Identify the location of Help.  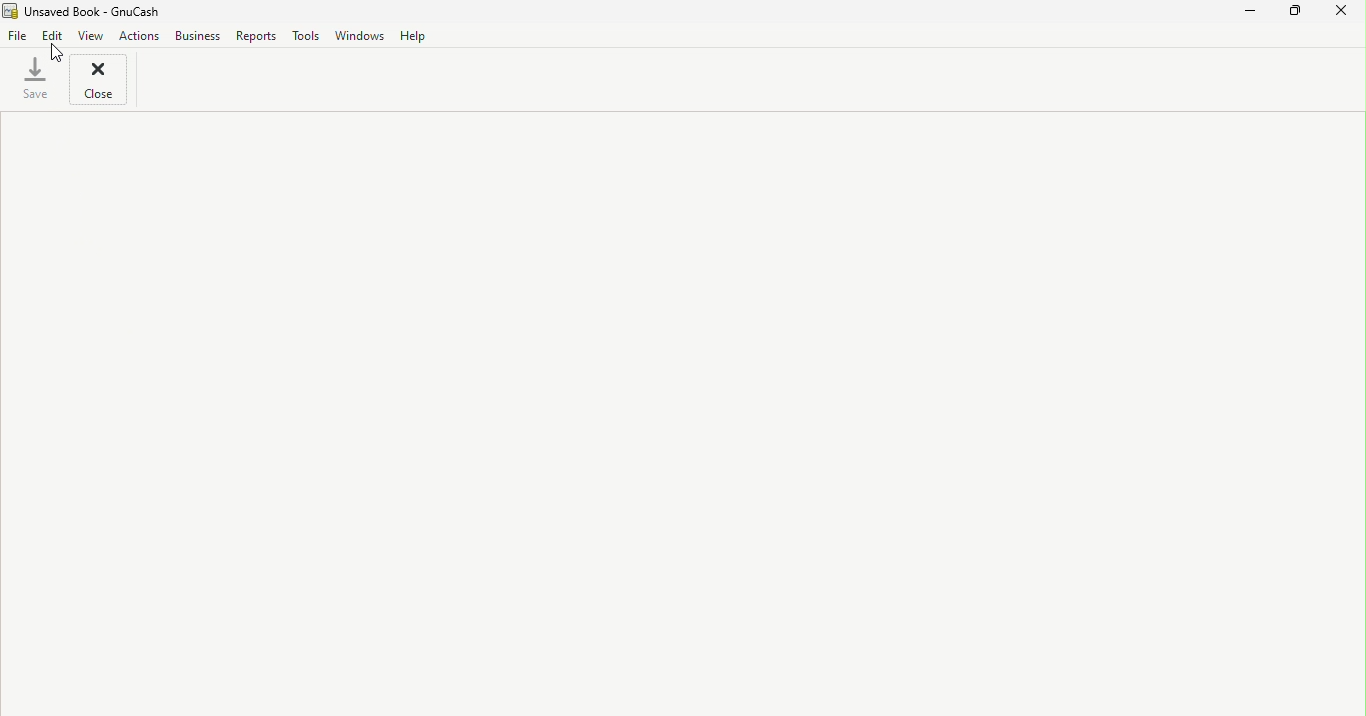
(414, 34).